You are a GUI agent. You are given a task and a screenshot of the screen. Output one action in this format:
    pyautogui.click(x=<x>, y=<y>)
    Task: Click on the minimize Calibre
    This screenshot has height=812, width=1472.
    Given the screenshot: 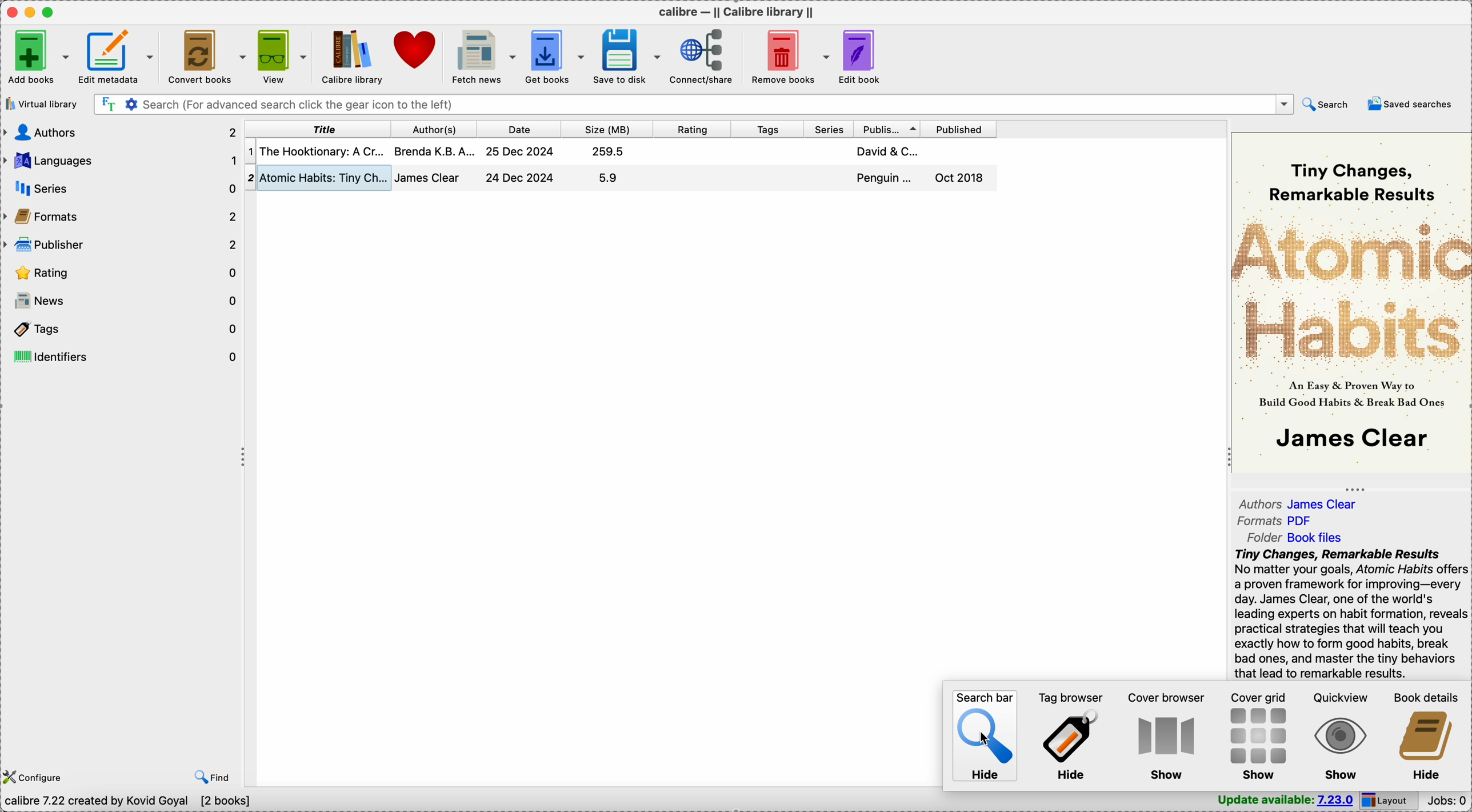 What is the action you would take?
    pyautogui.click(x=30, y=13)
    